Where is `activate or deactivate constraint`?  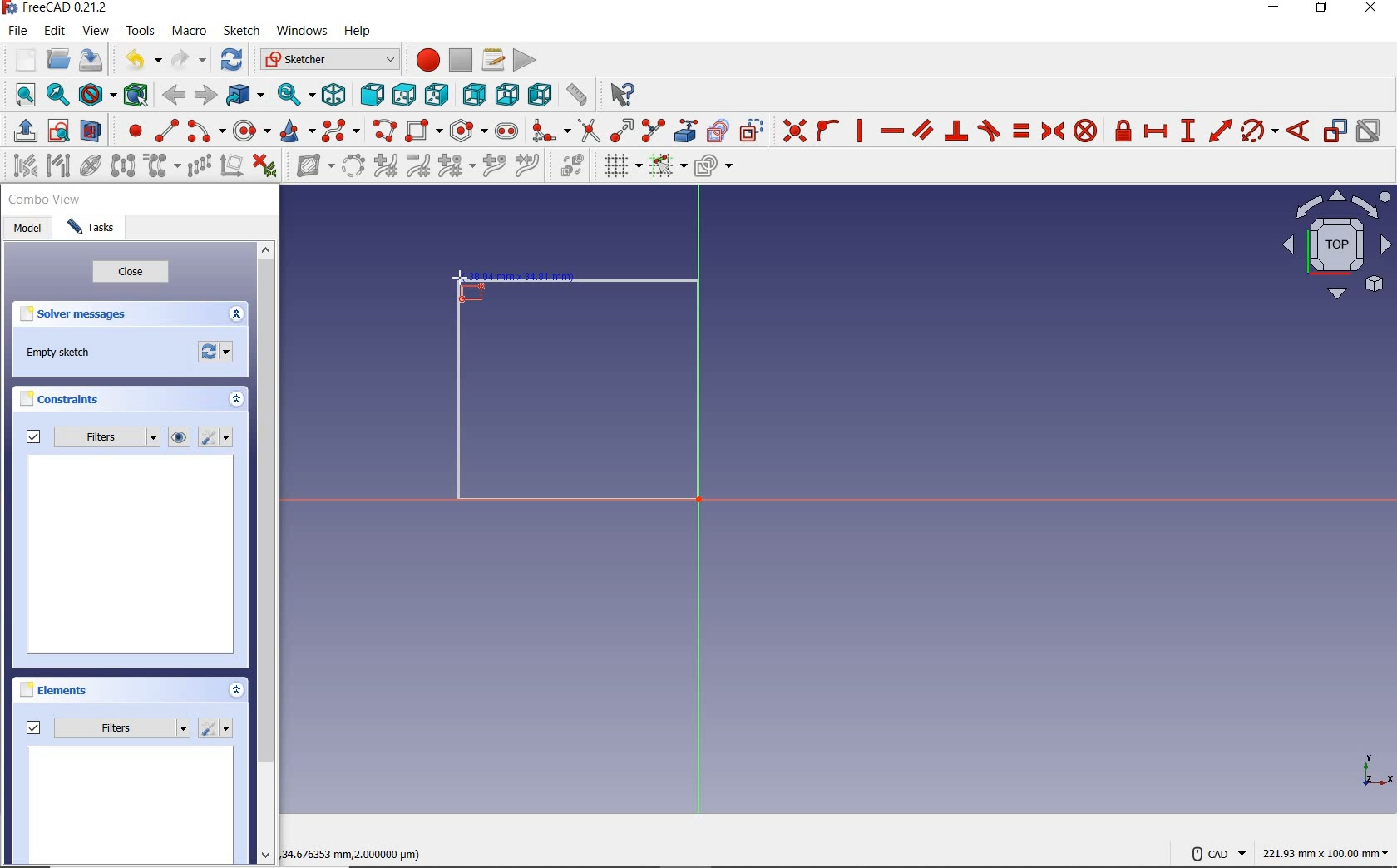 activate or deactivate constraint is located at coordinates (1369, 131).